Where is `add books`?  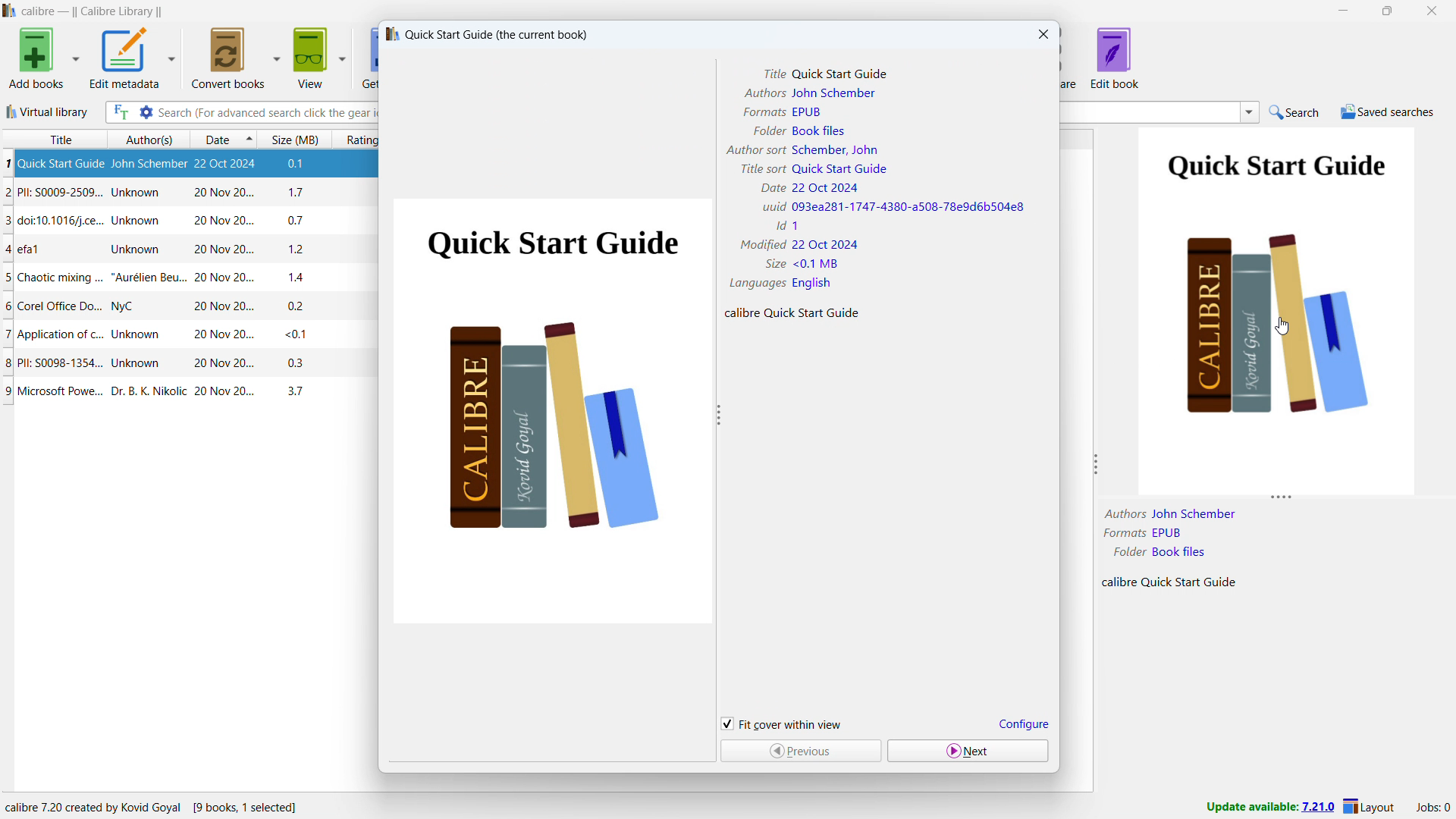 add books is located at coordinates (33, 58).